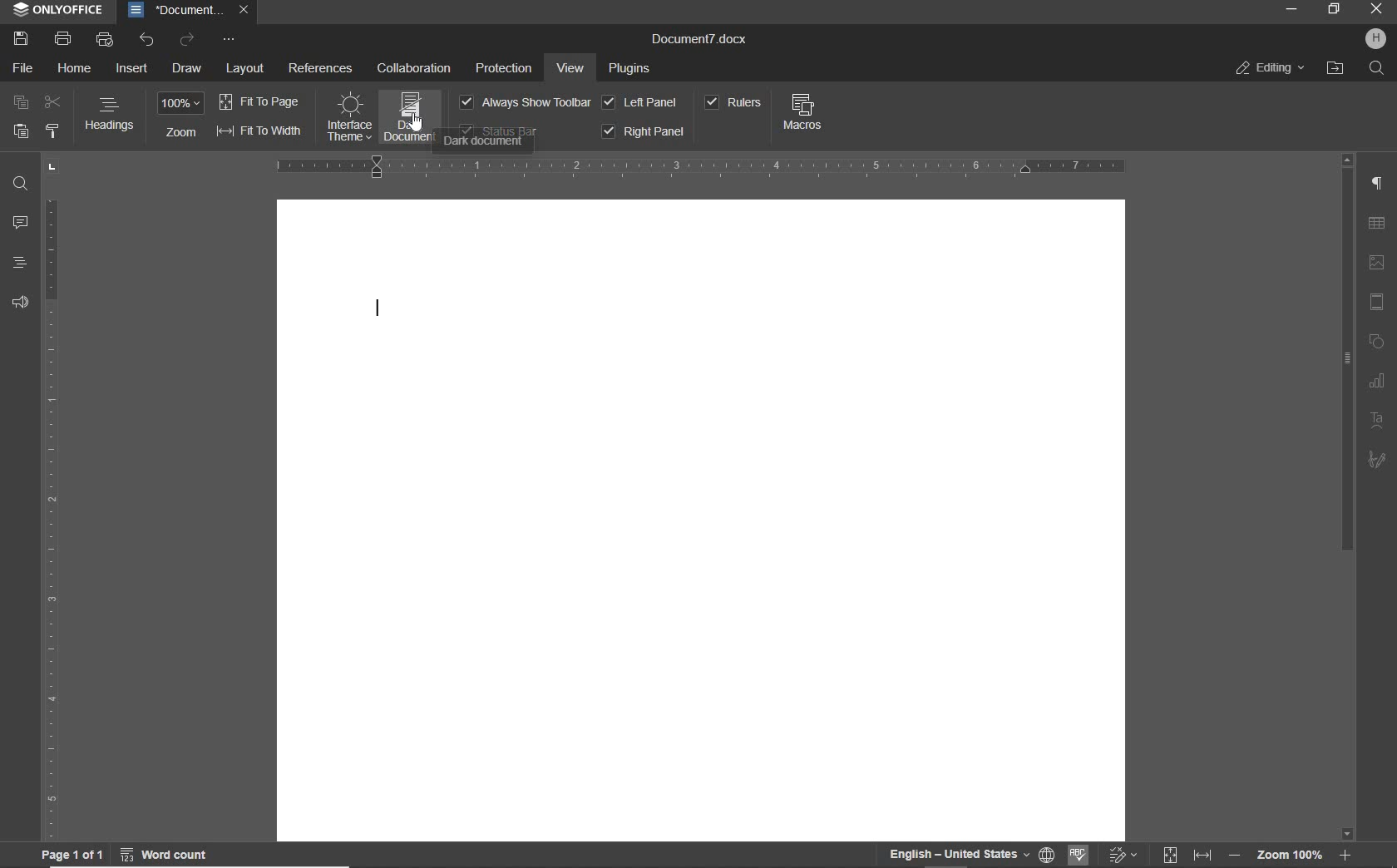 This screenshot has height=868, width=1397. Describe the element at coordinates (411, 116) in the screenshot. I see `DARK DOCUMENT` at that location.